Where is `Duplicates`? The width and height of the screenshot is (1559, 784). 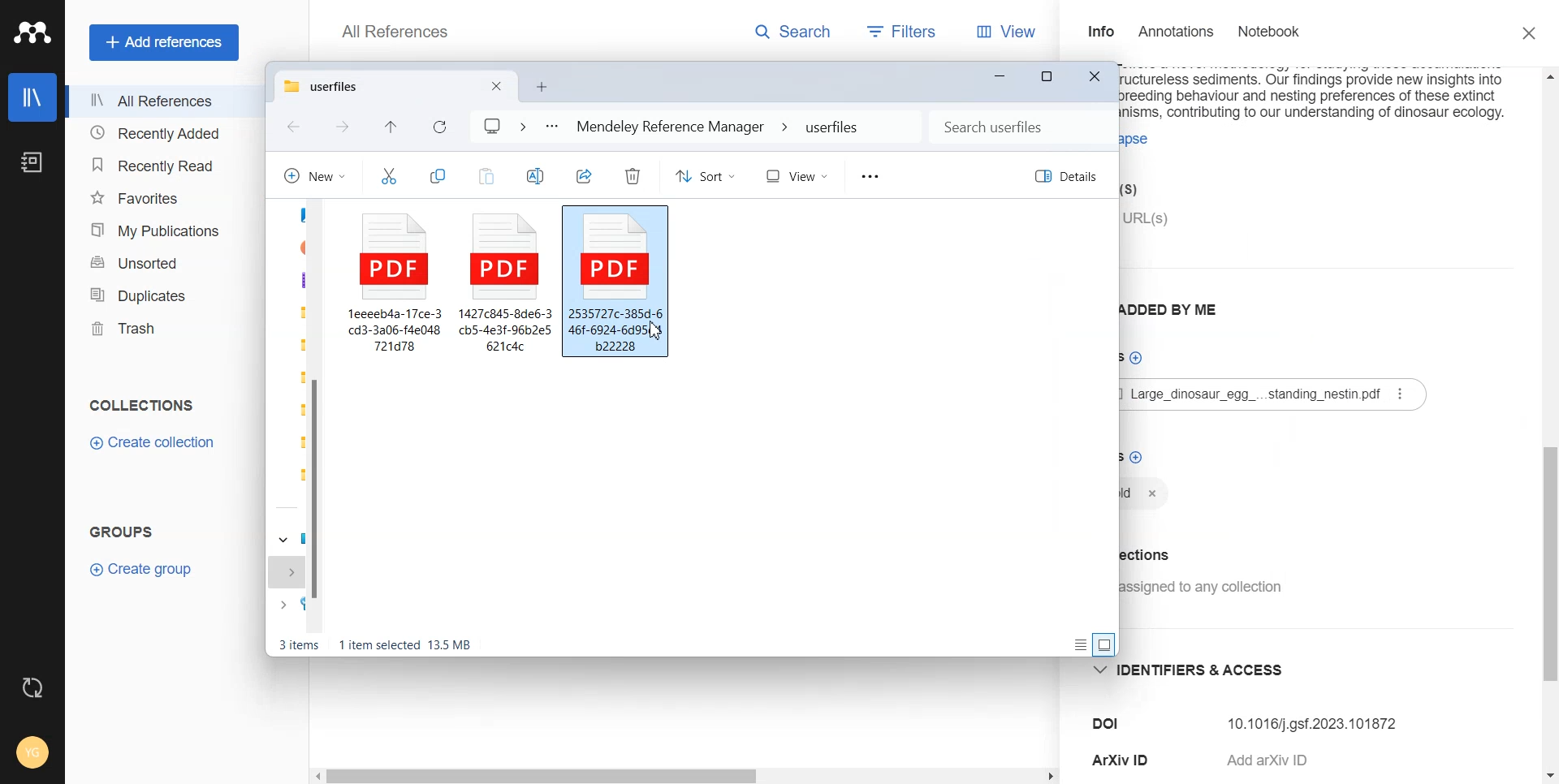 Duplicates is located at coordinates (168, 293).